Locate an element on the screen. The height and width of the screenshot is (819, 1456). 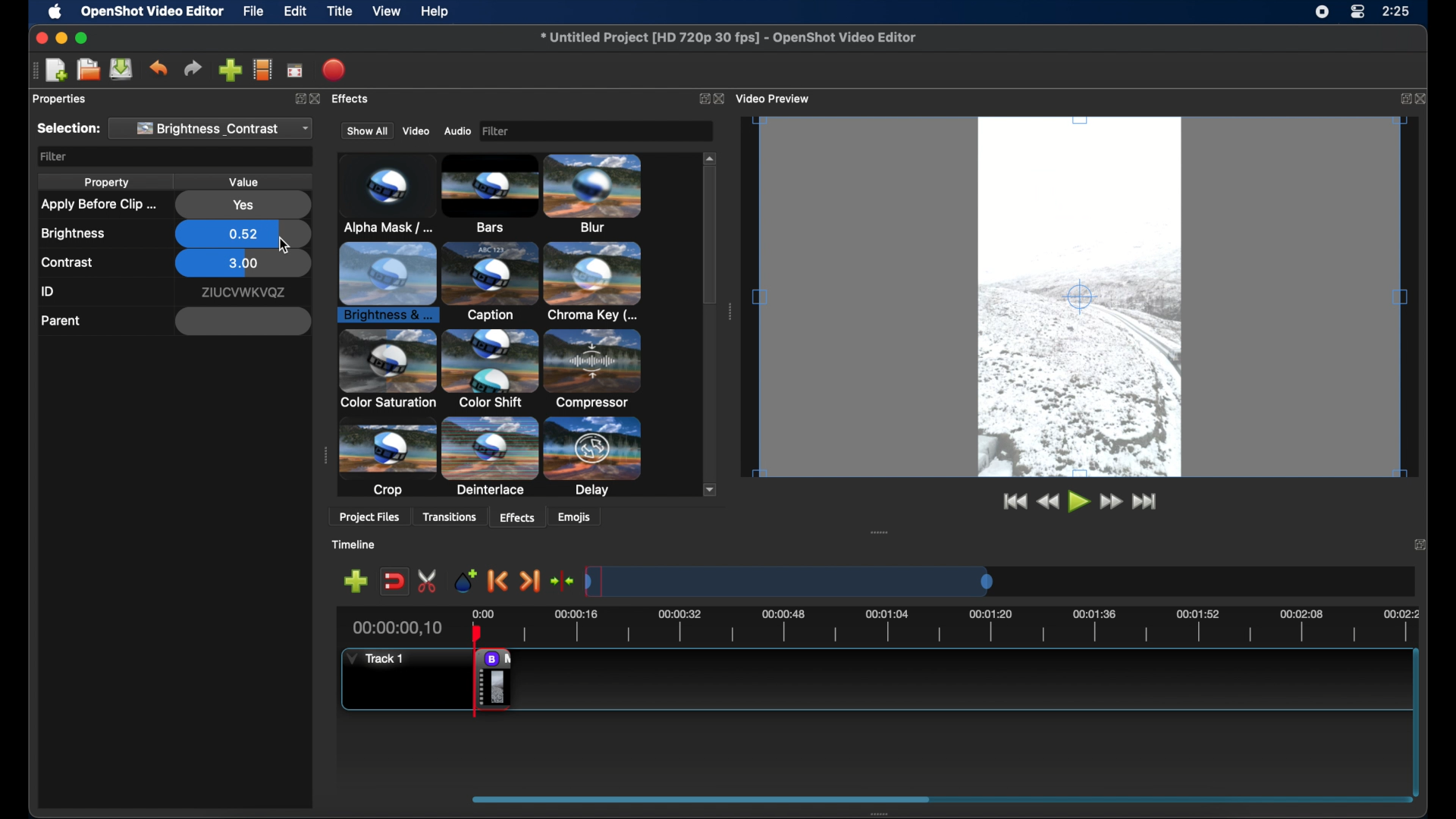
Filter is located at coordinates (592, 130).